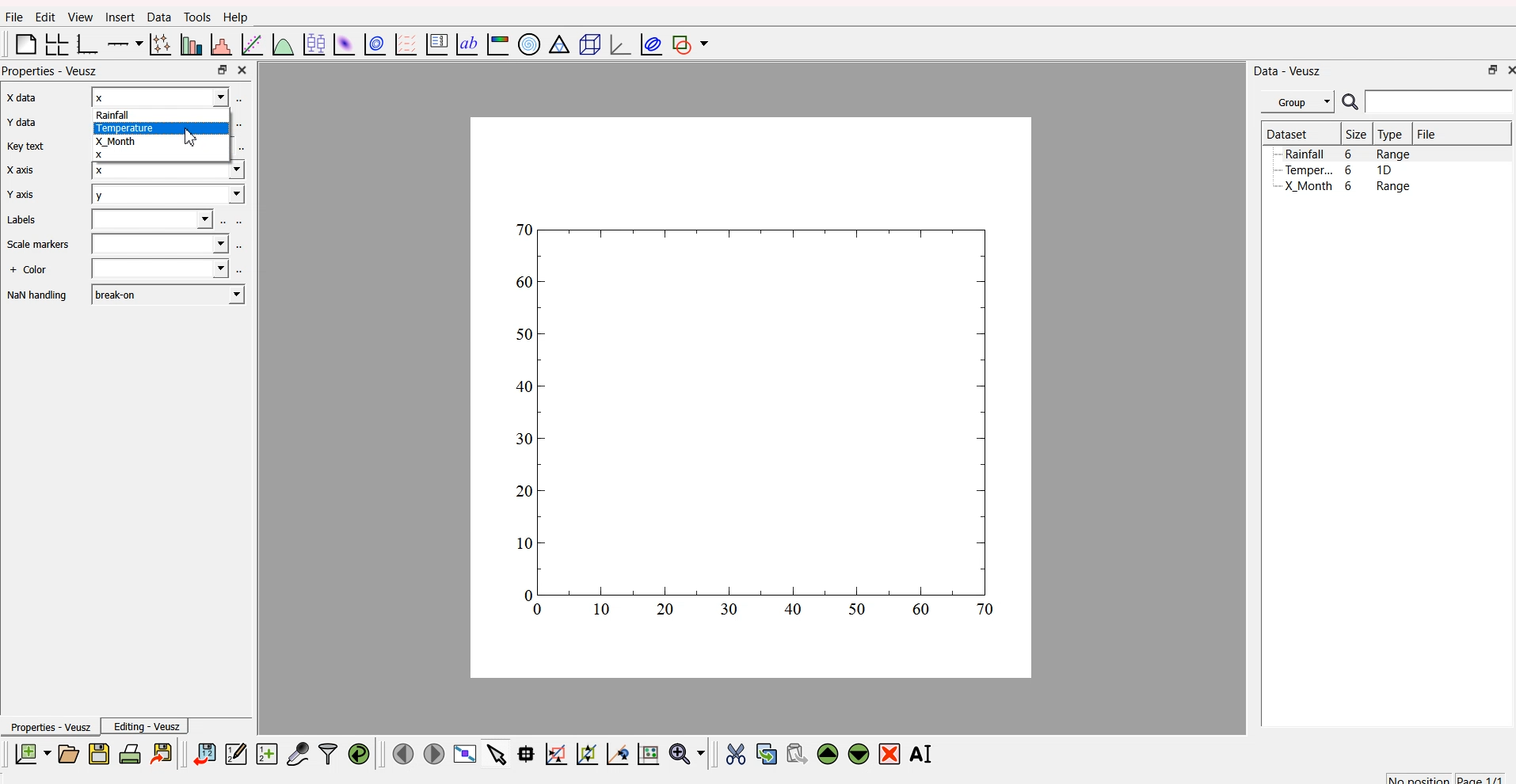 The image size is (1516, 784). I want to click on Rainfall 6 Range, so click(1350, 154).